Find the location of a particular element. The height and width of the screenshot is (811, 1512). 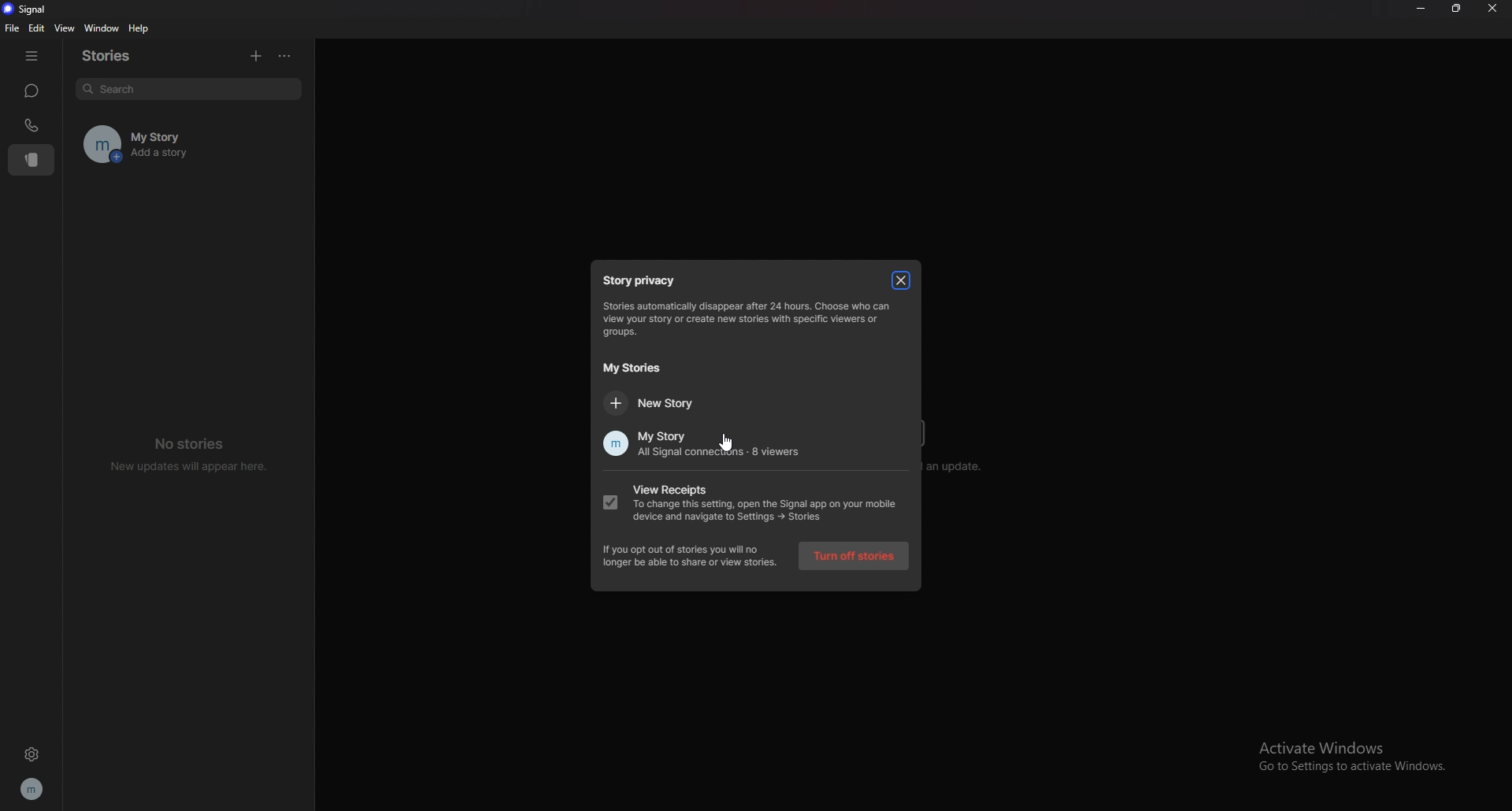

options is located at coordinates (288, 54).